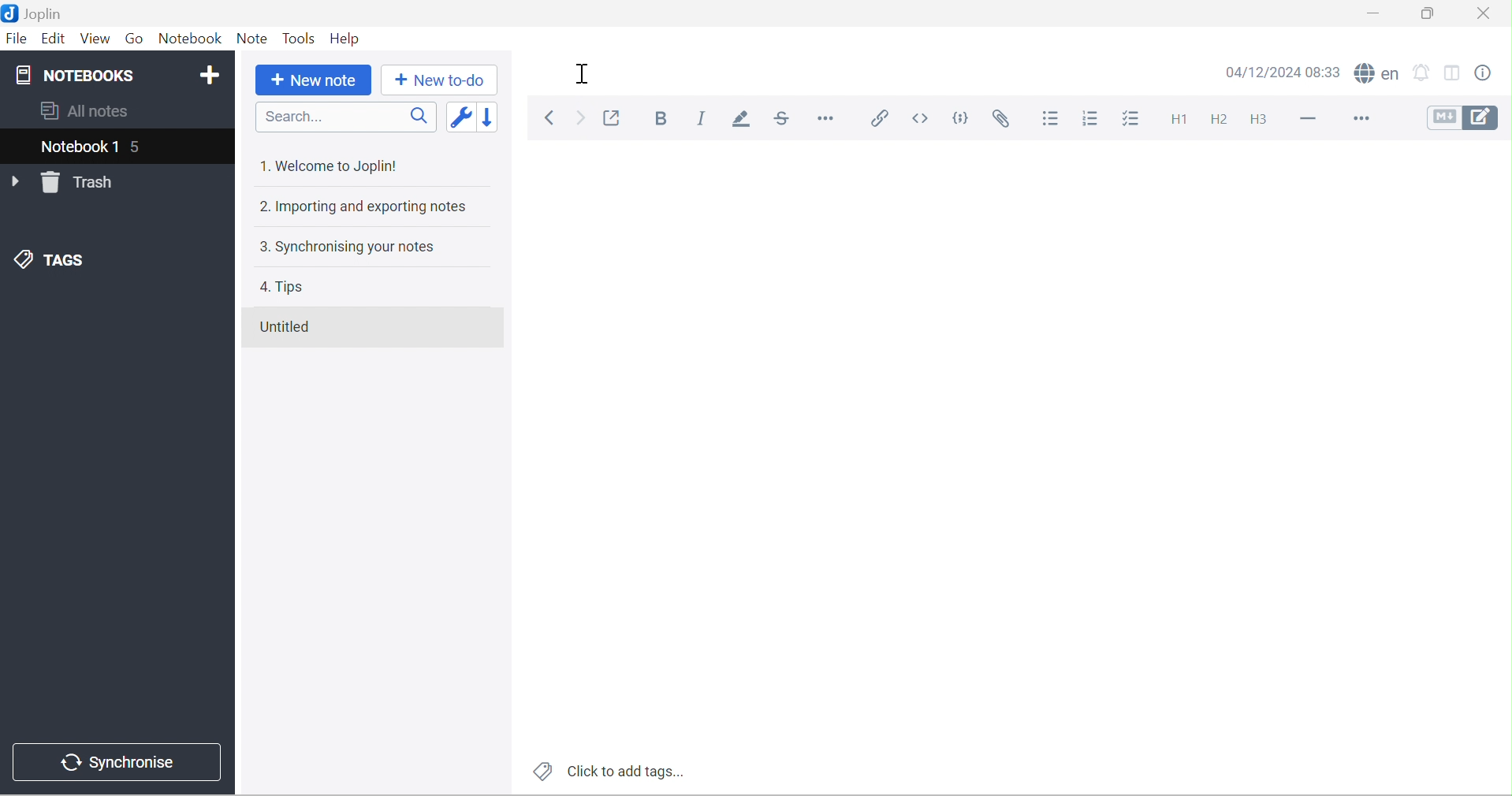 The image size is (1512, 796). What do you see at coordinates (1493, 73) in the screenshot?
I see `Note properties` at bounding box center [1493, 73].